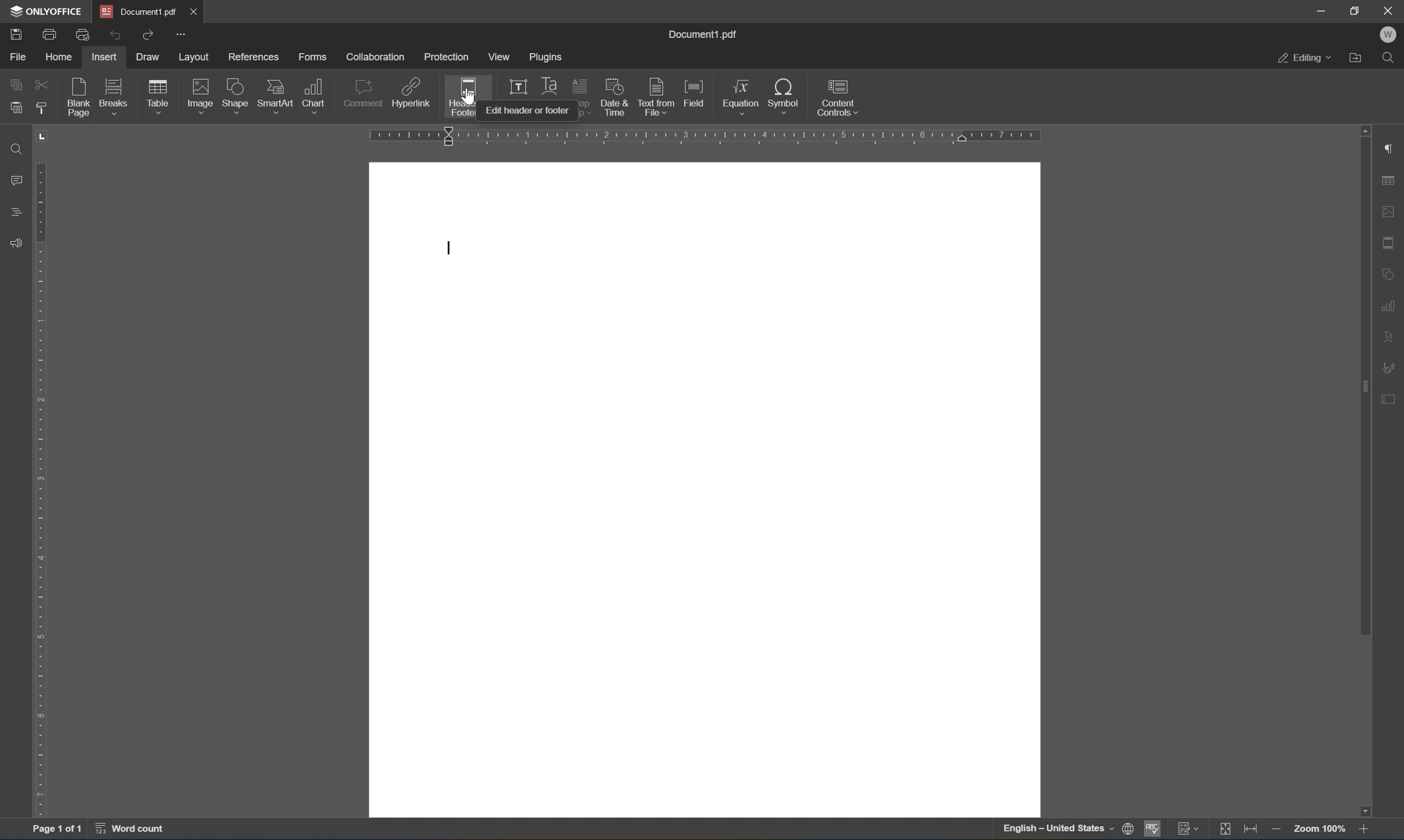 The width and height of the screenshot is (1404, 840). Describe the element at coordinates (694, 94) in the screenshot. I see `field` at that location.